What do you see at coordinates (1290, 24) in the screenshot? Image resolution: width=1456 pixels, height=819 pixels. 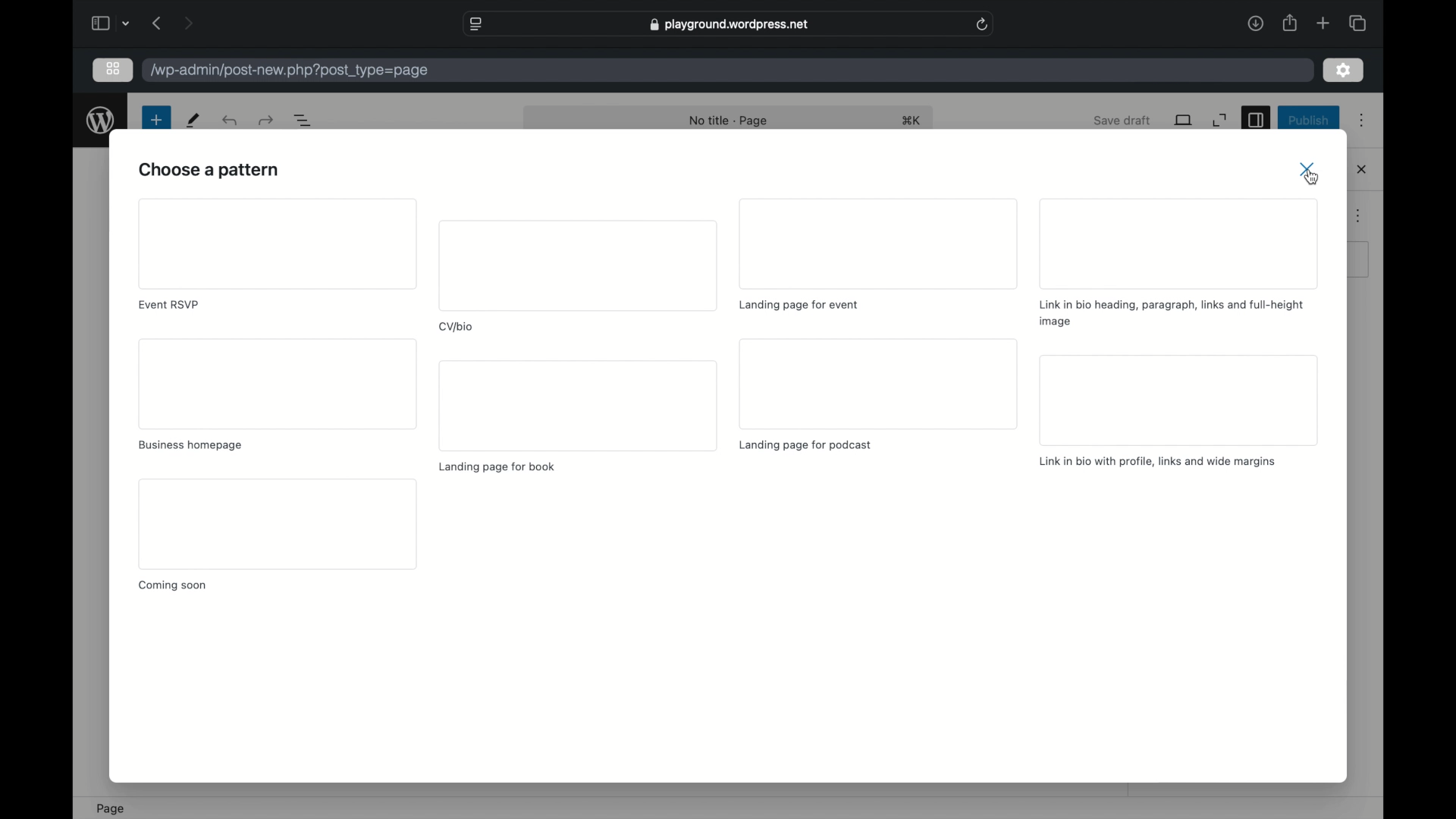 I see `share` at bounding box center [1290, 24].